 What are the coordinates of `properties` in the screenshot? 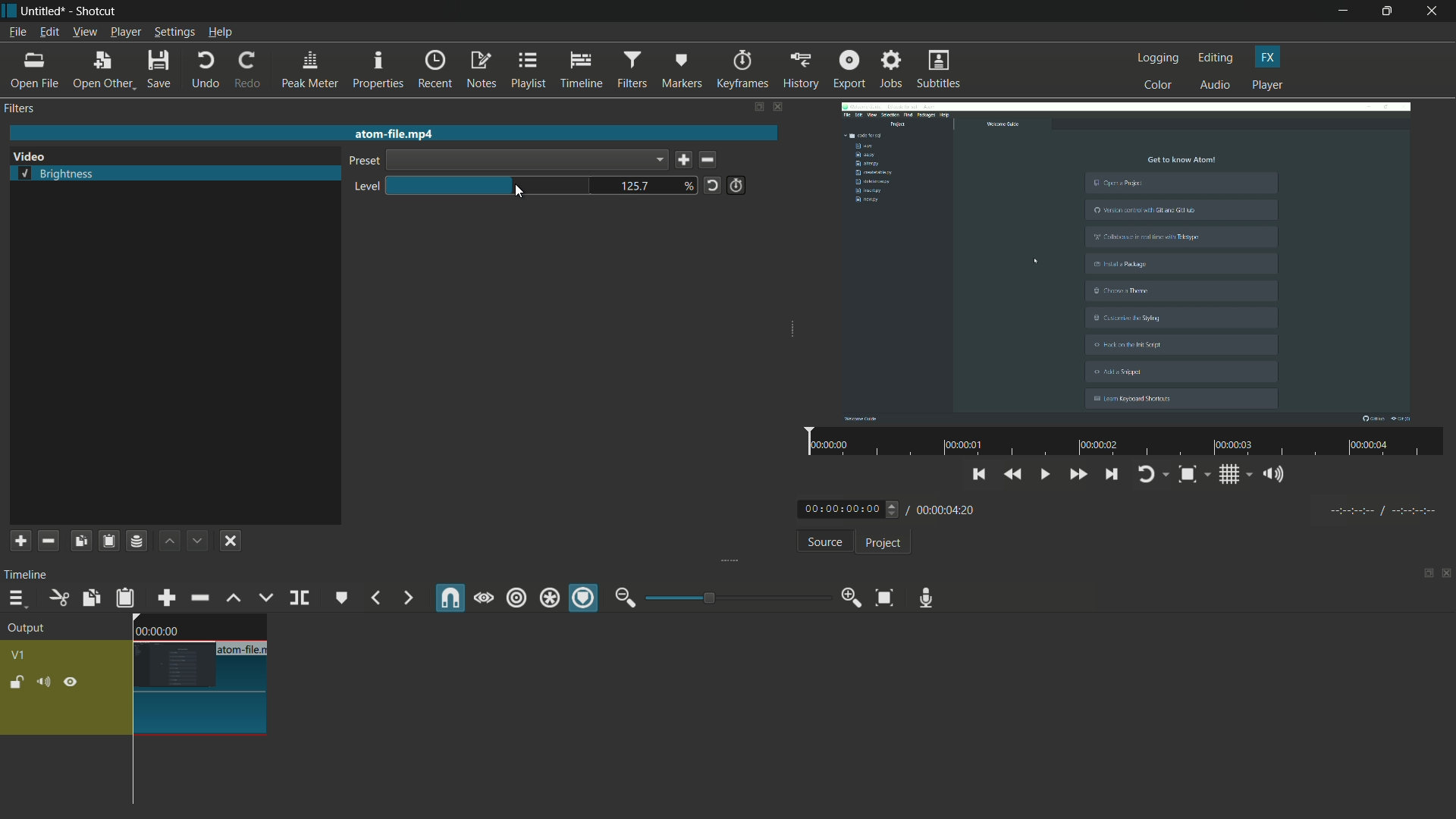 It's located at (378, 71).